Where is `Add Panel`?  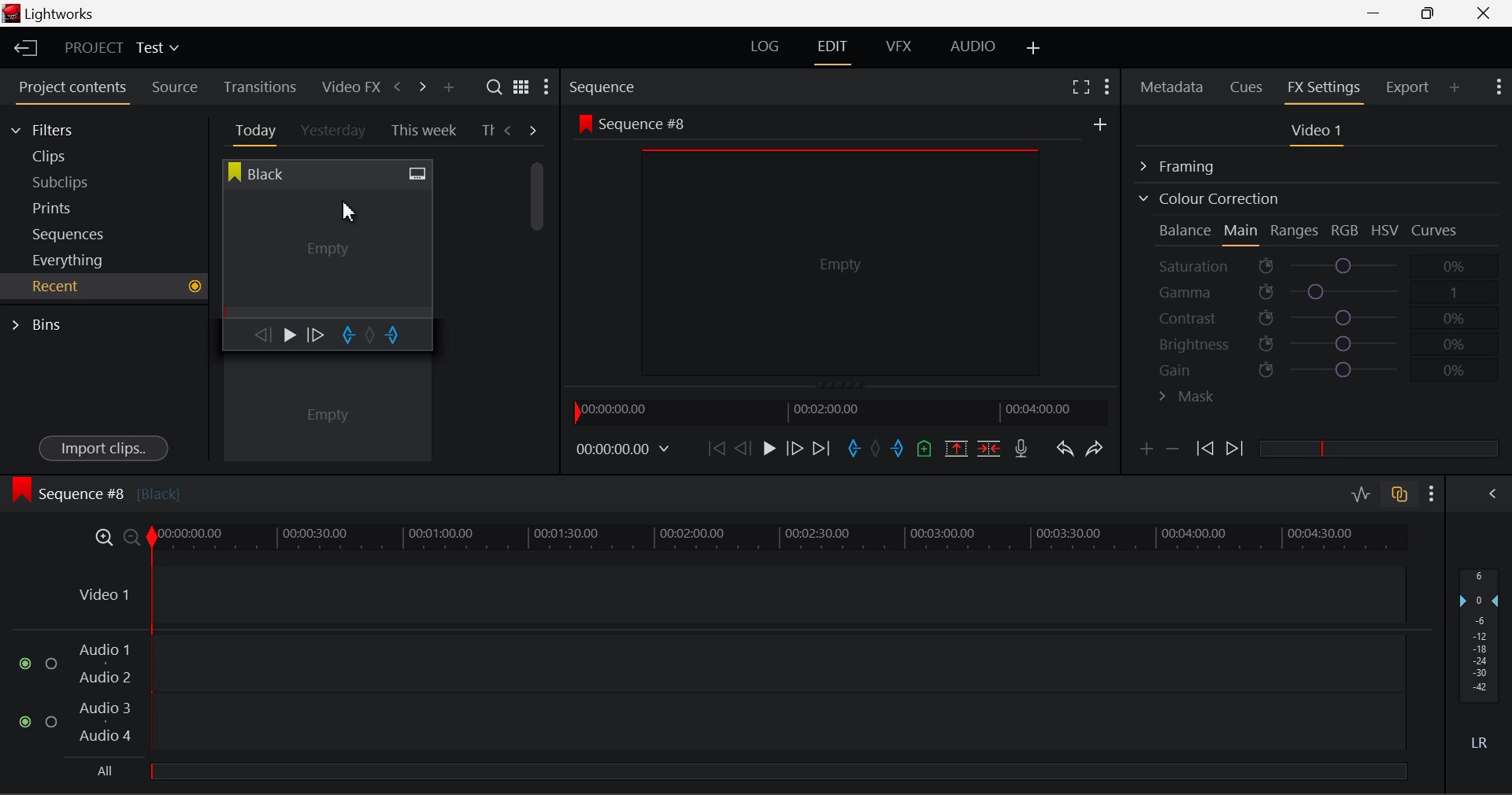 Add Panel is located at coordinates (448, 88).